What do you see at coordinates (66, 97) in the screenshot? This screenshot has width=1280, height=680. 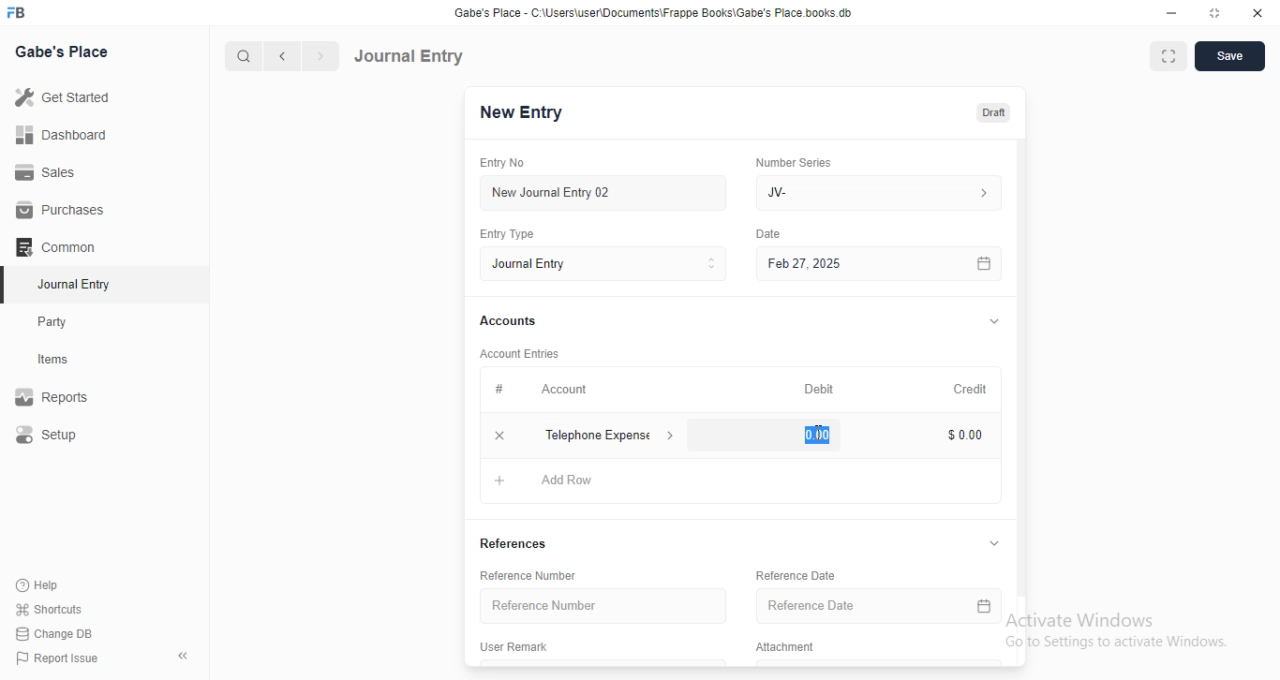 I see `Get Started` at bounding box center [66, 97].